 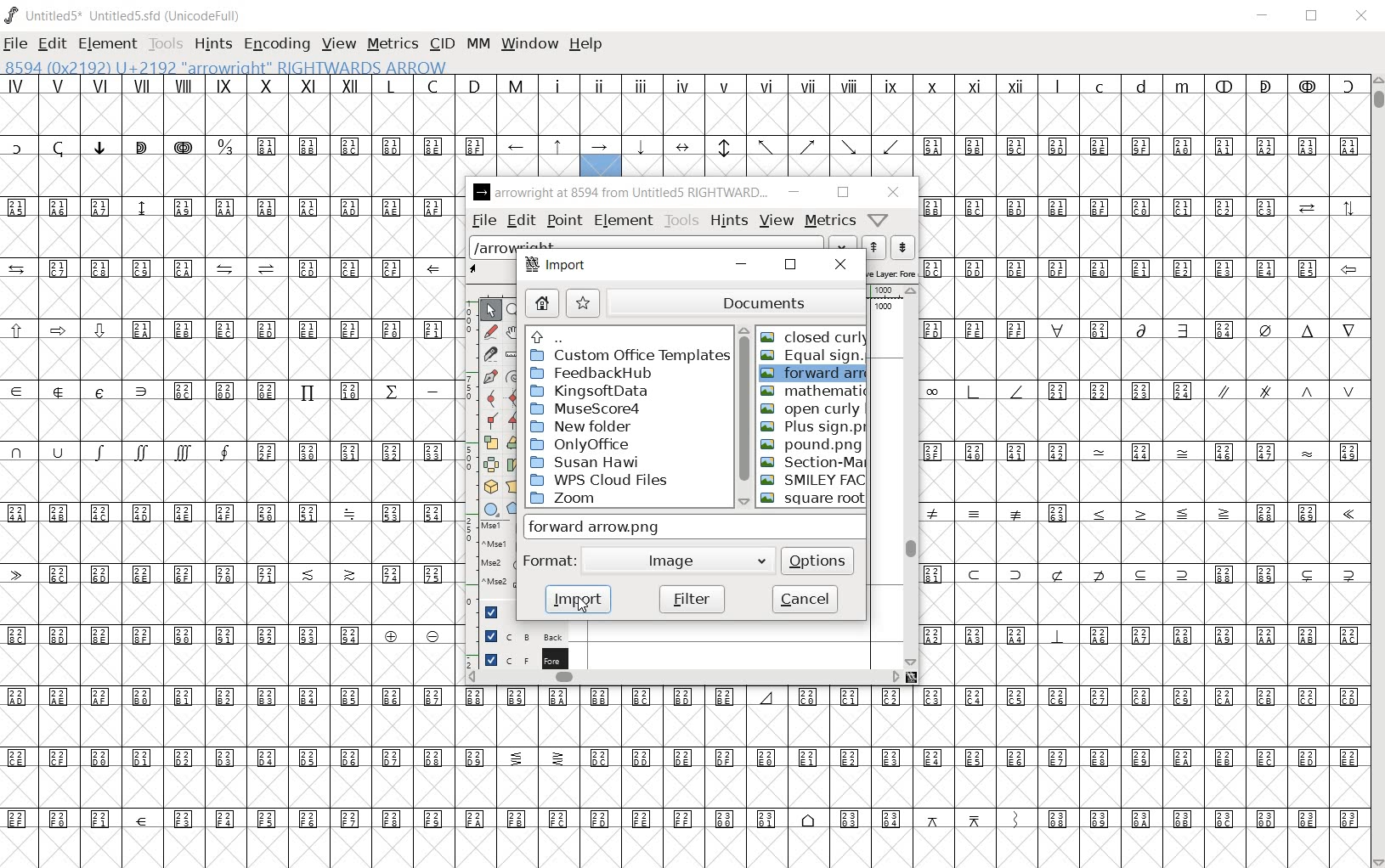 I want to click on Import, so click(x=557, y=267).